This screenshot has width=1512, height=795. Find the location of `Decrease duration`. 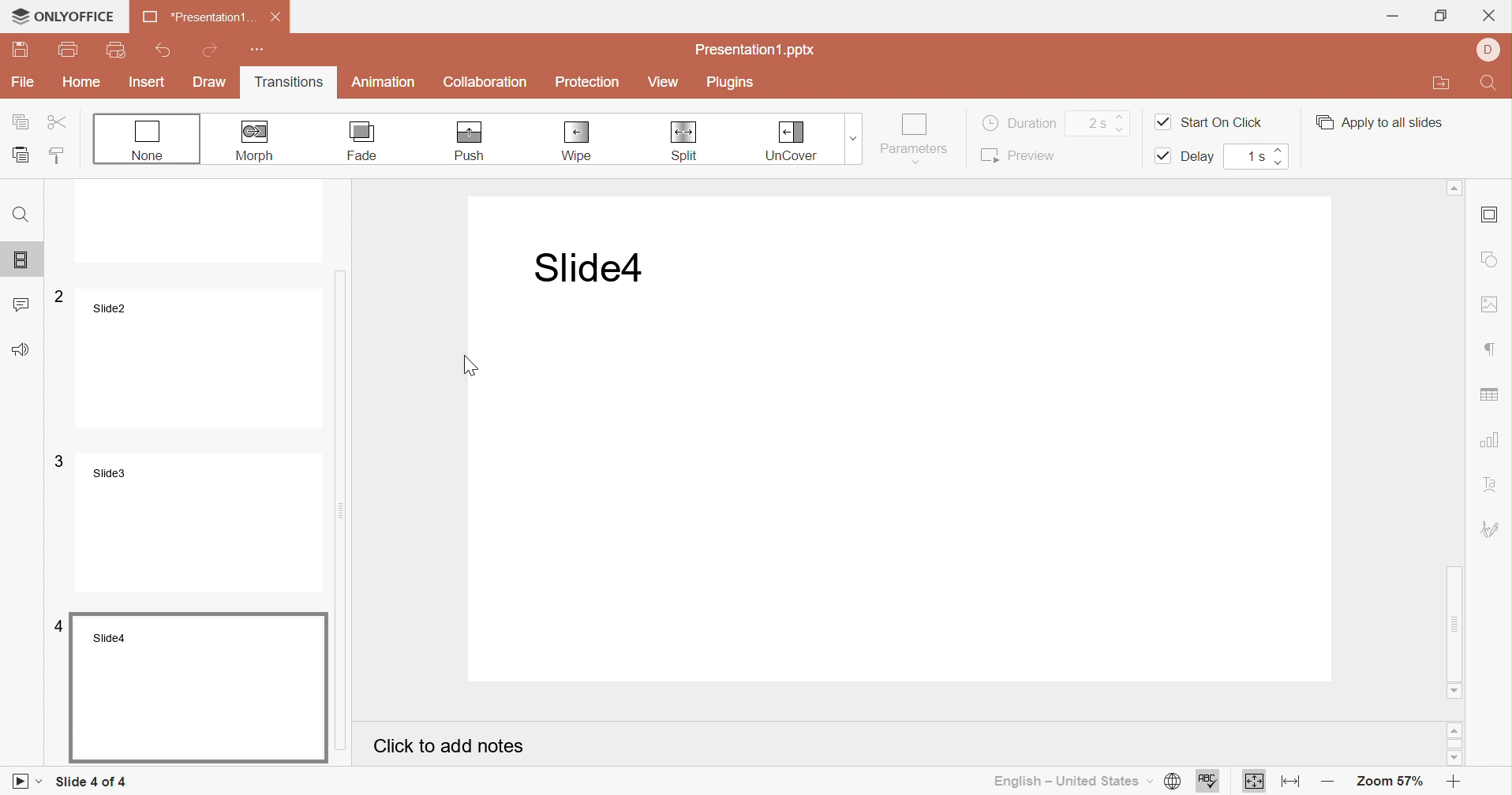

Decrease duration is located at coordinates (1124, 129).